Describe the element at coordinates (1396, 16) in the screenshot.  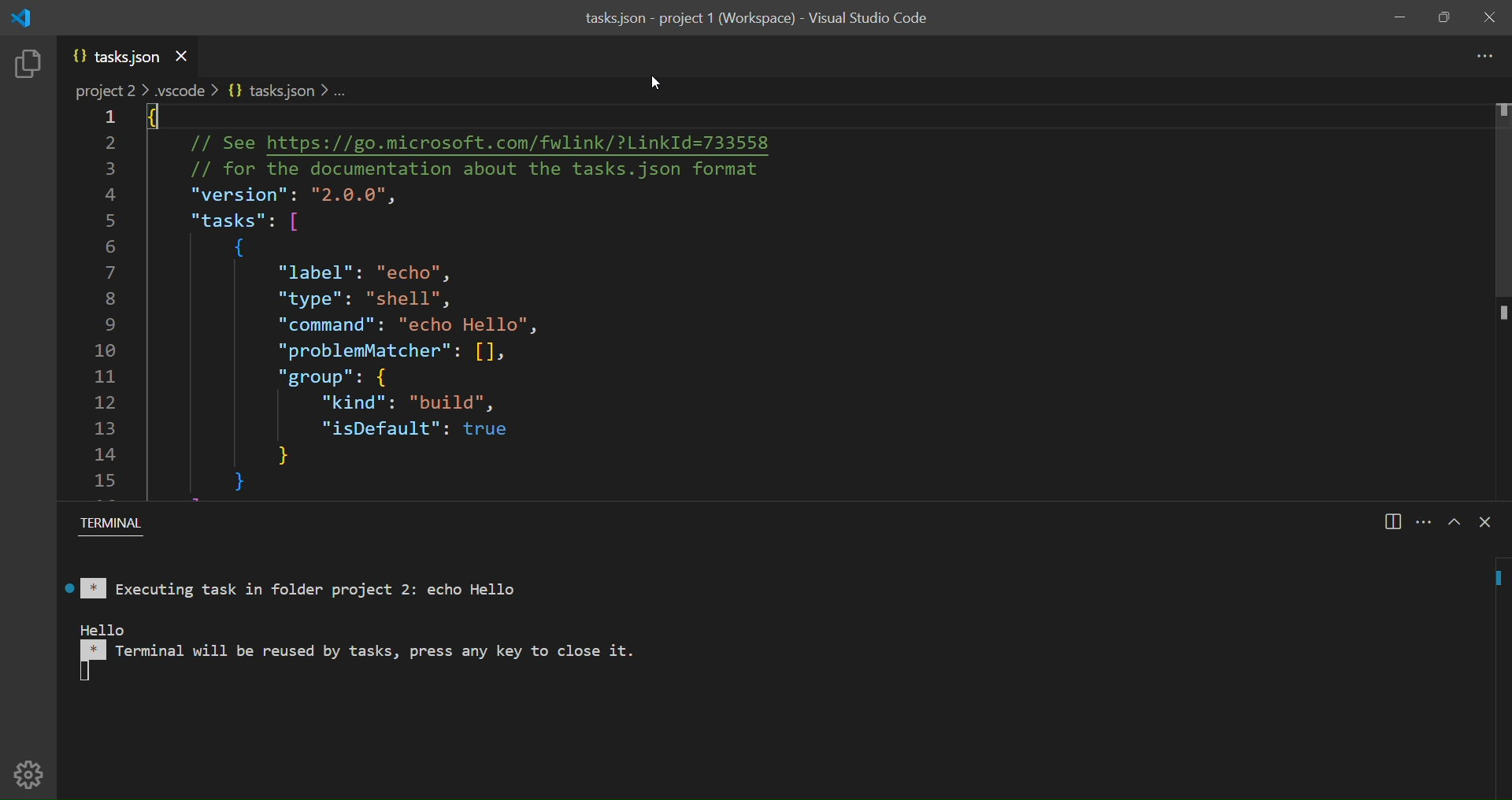
I see `minimize` at that location.